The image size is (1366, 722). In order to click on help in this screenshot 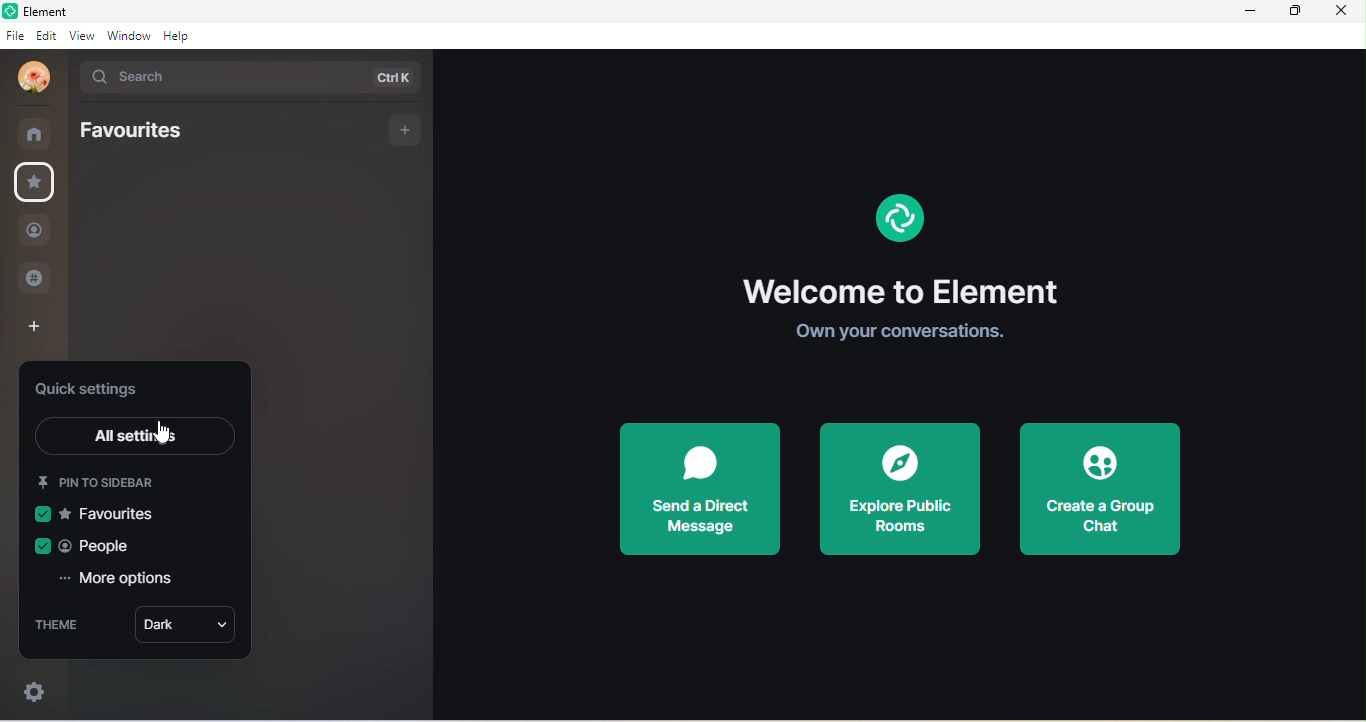, I will do `click(180, 34)`.